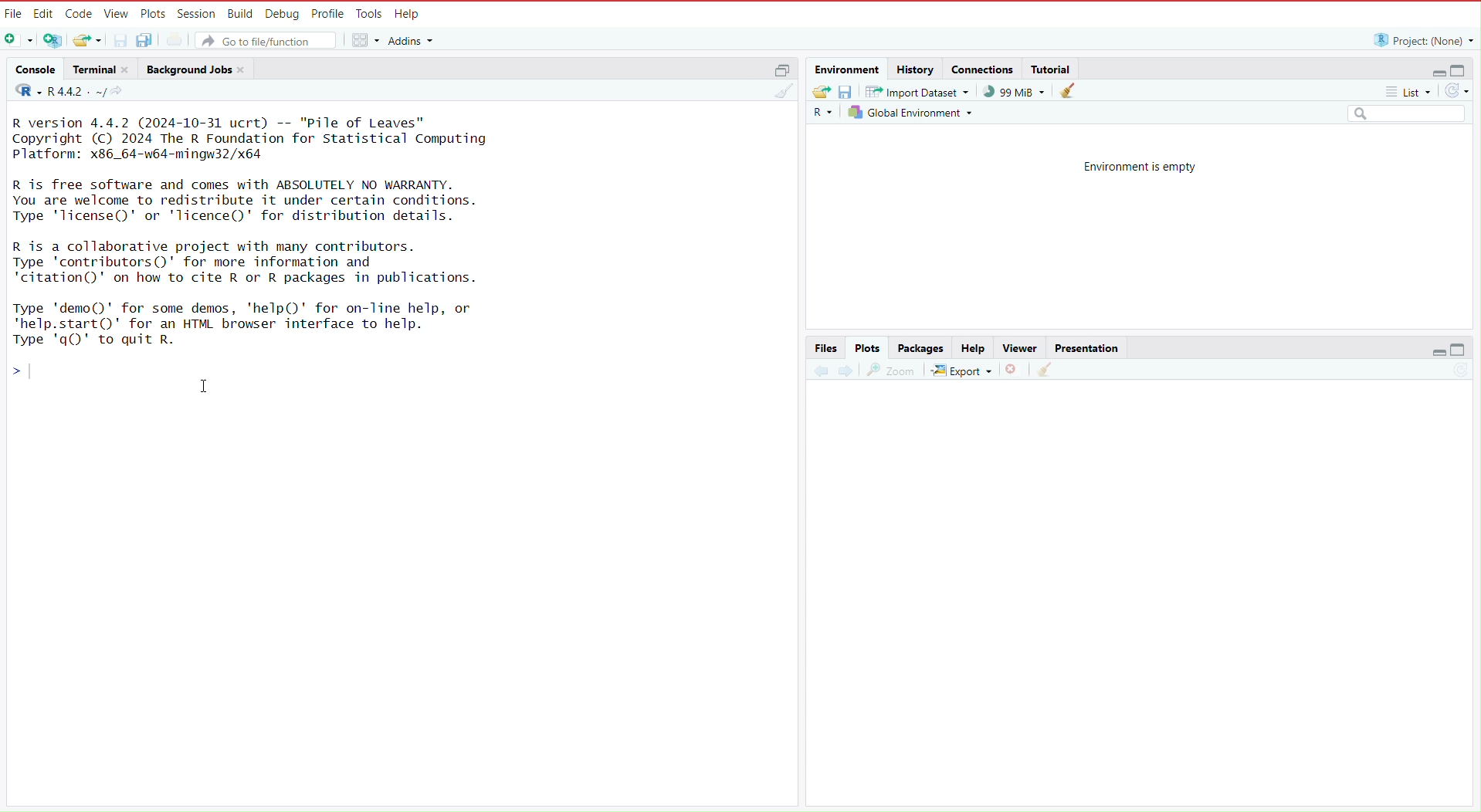 Image resolution: width=1481 pixels, height=812 pixels. What do you see at coordinates (129, 69) in the screenshot?
I see `close` at bounding box center [129, 69].